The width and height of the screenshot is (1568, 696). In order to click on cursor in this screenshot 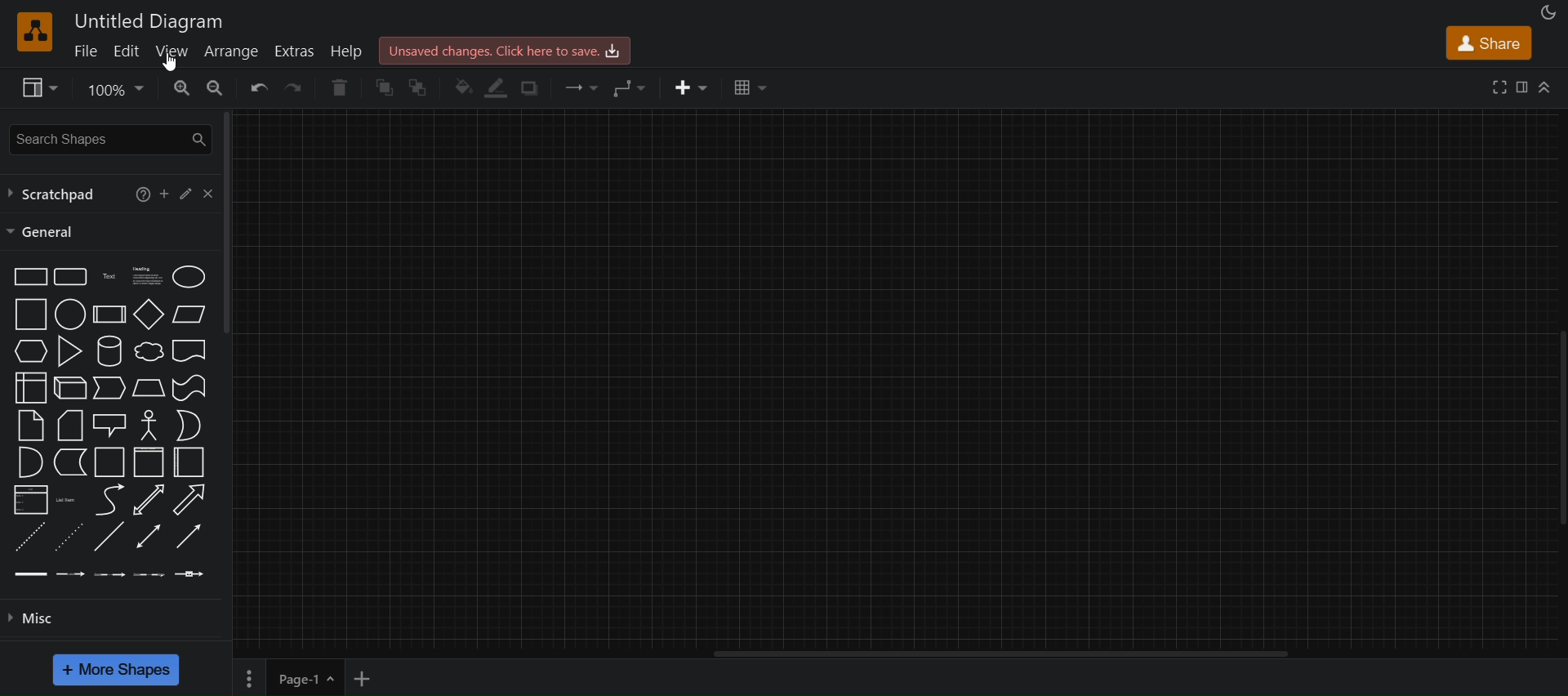, I will do `click(172, 60)`.